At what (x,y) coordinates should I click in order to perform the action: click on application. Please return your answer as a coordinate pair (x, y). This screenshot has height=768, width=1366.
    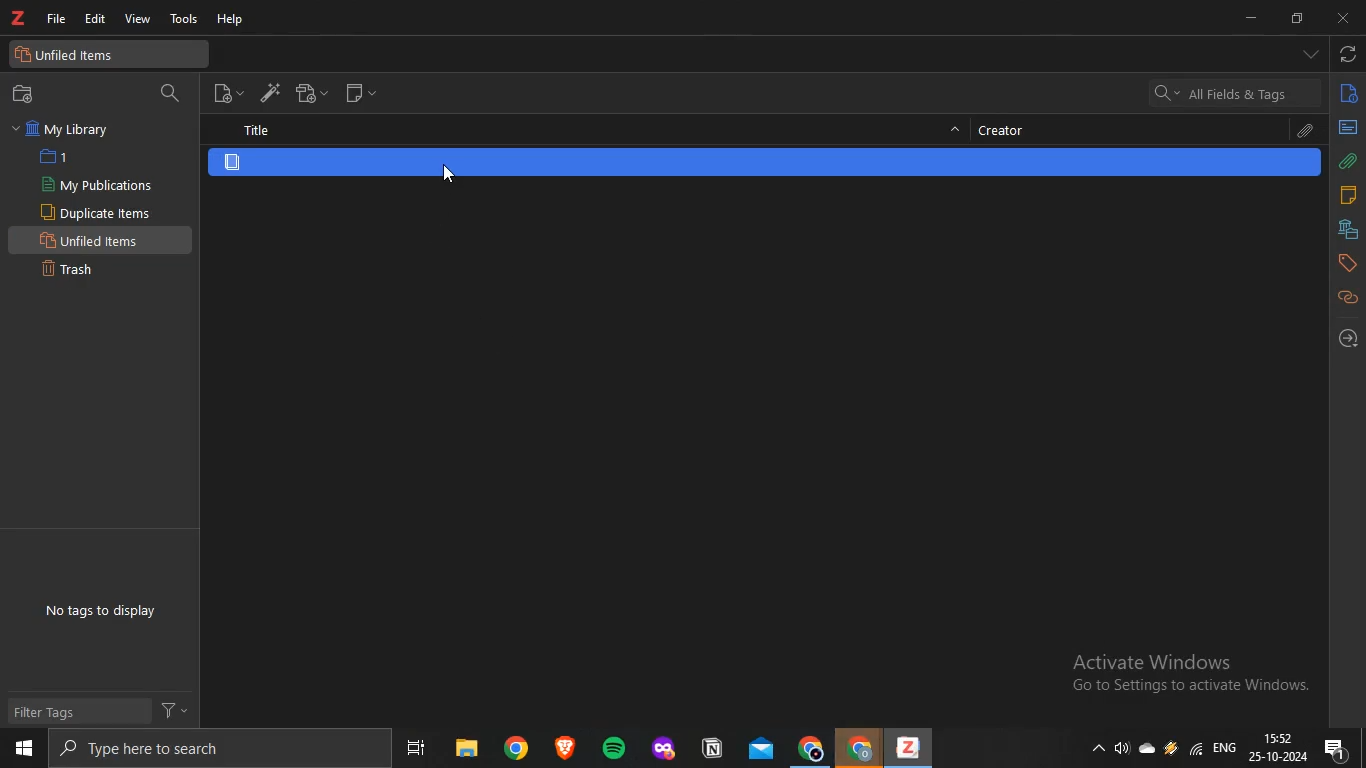
    Looking at the image, I should click on (666, 749).